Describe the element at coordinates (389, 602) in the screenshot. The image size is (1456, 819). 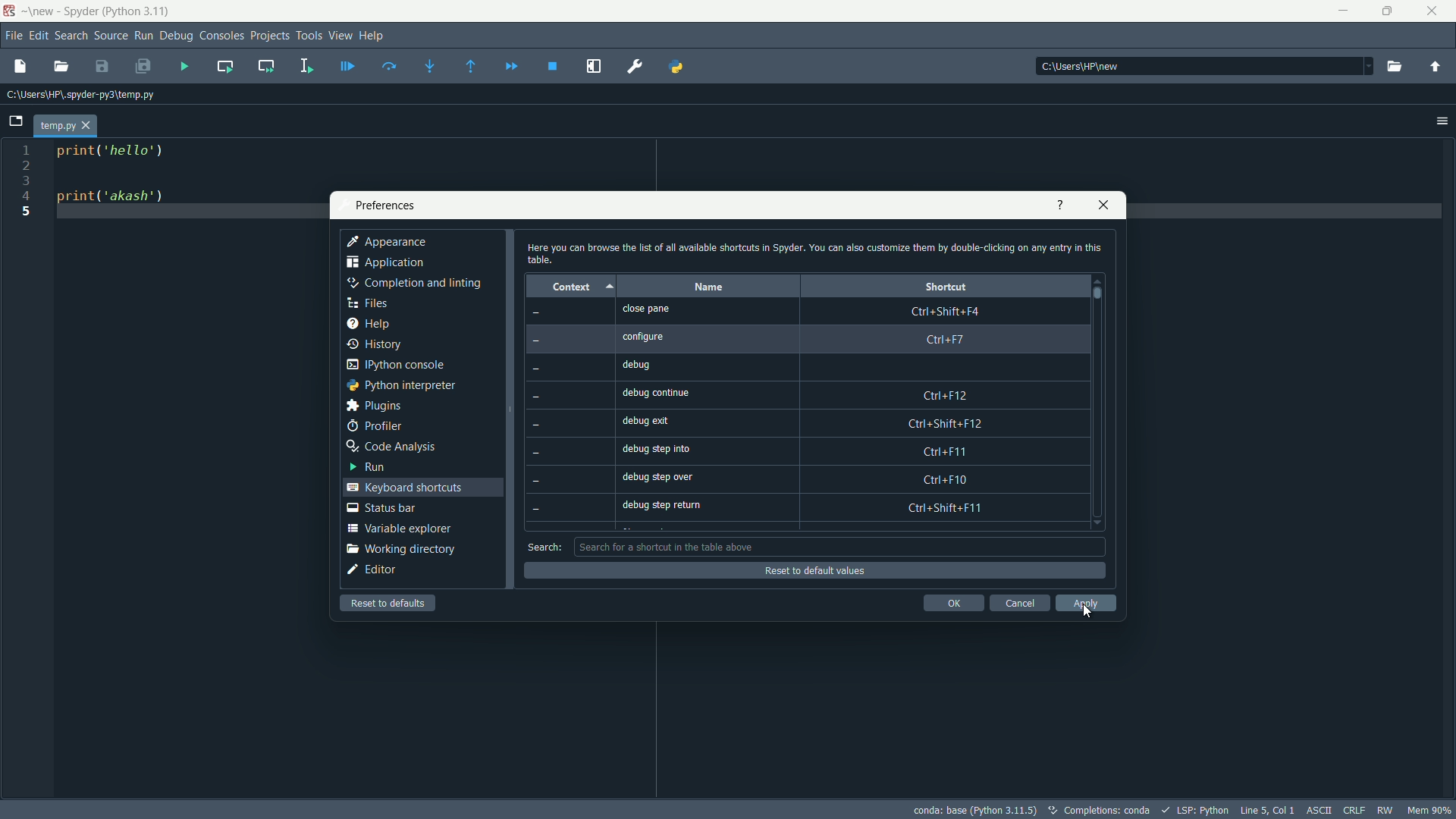
I see `reset to default` at that location.